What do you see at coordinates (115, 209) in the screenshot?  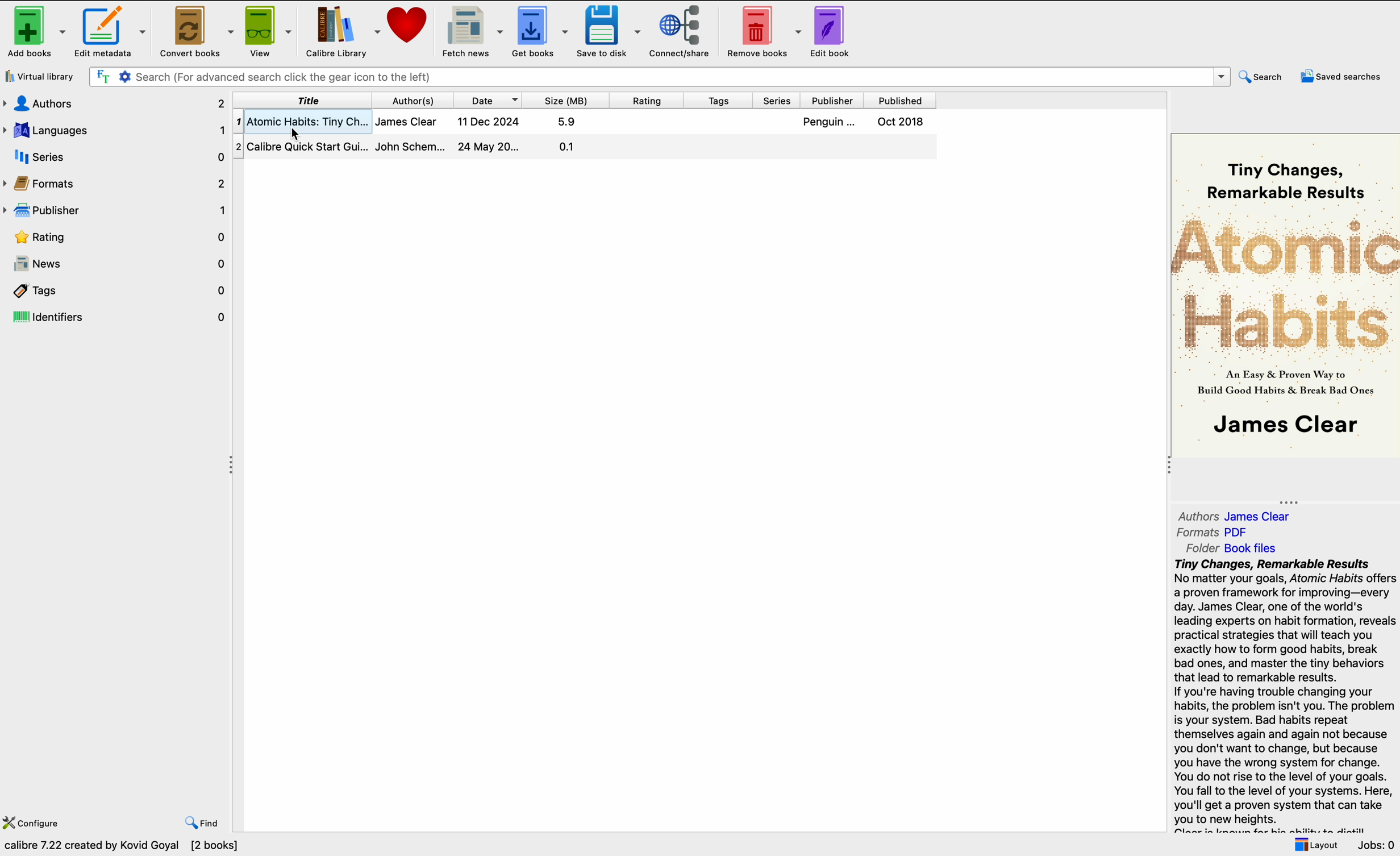 I see `publisher` at bounding box center [115, 209].